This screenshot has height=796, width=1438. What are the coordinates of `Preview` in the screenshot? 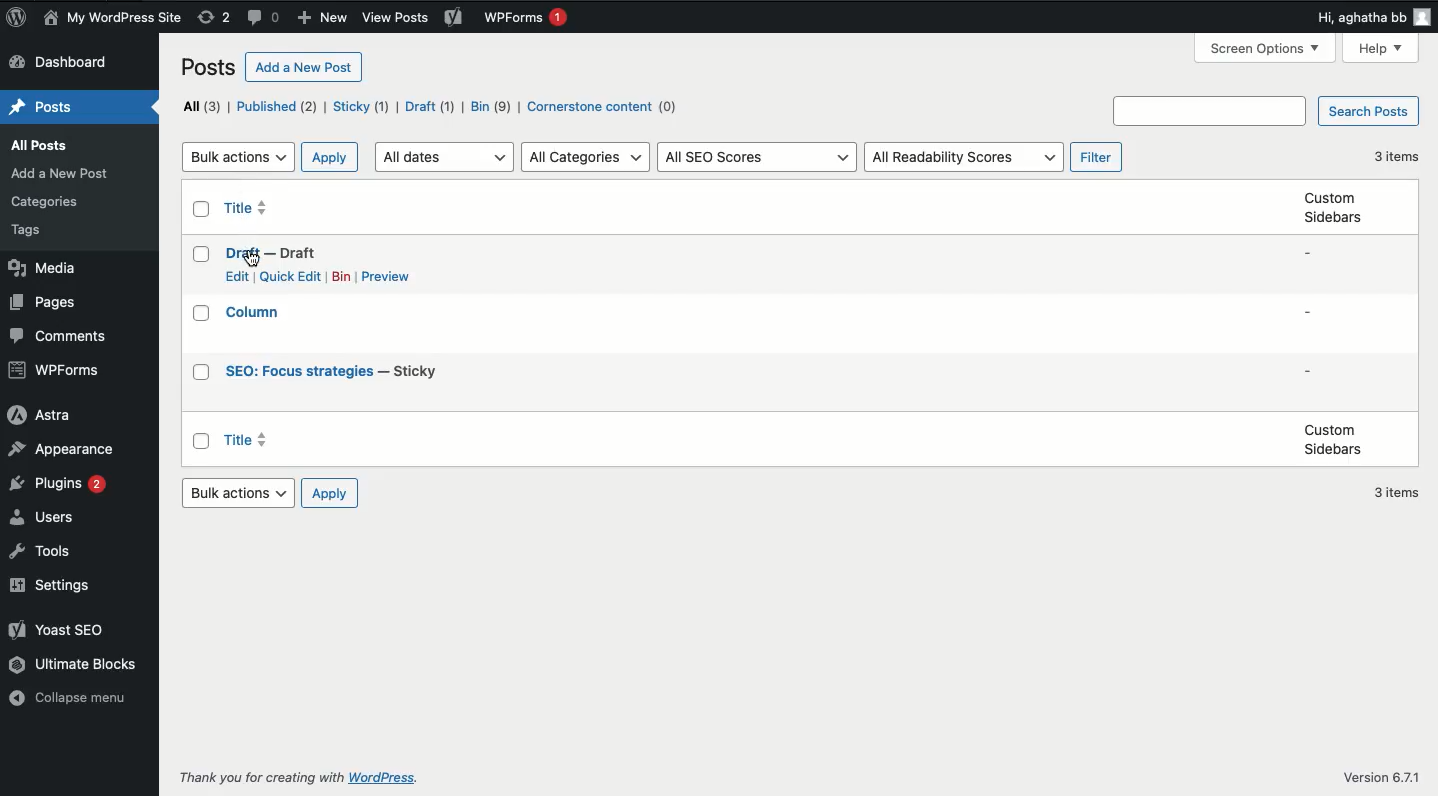 It's located at (391, 277).